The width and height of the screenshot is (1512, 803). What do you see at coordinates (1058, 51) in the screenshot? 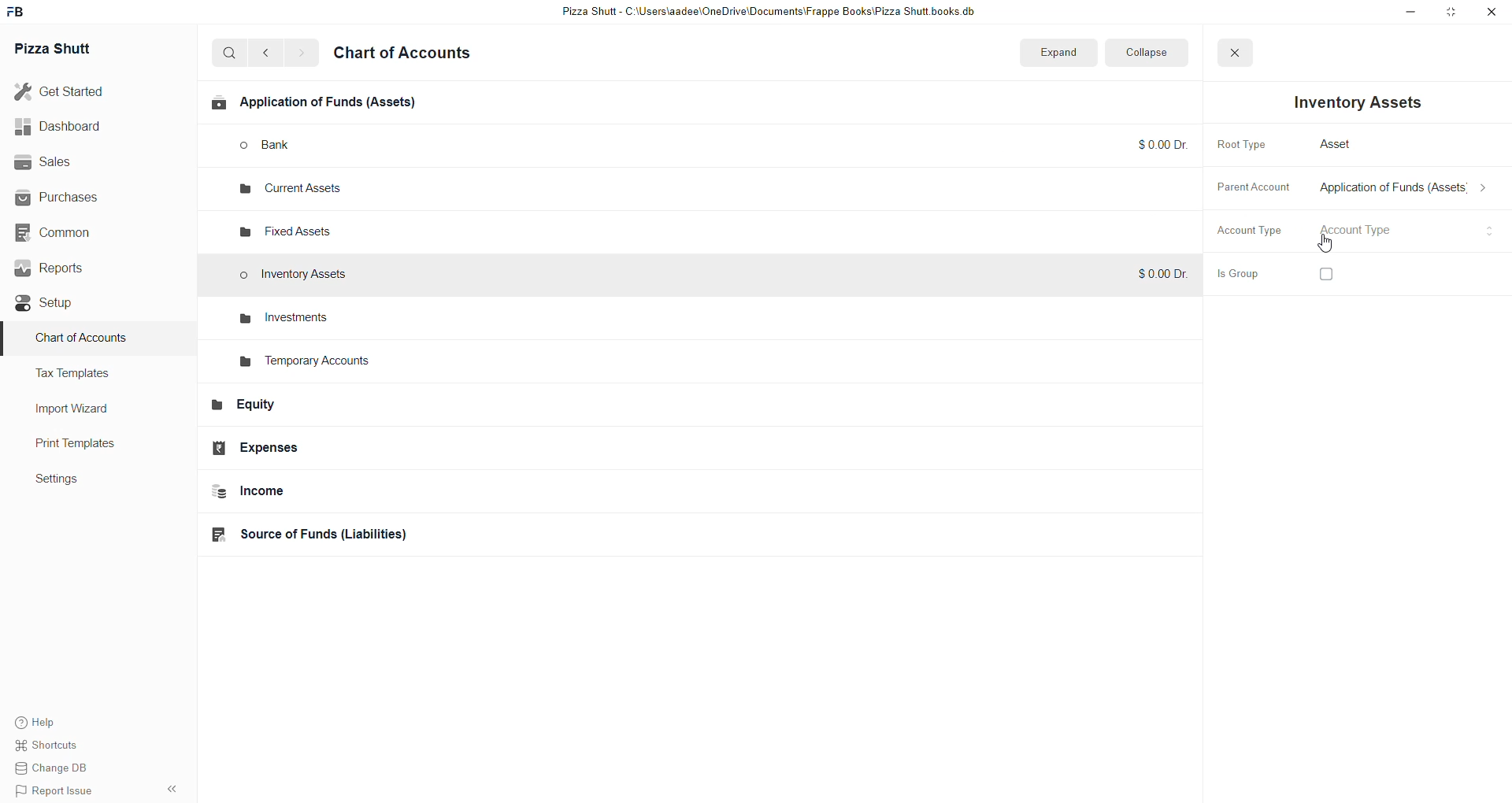
I see `expand` at bounding box center [1058, 51].